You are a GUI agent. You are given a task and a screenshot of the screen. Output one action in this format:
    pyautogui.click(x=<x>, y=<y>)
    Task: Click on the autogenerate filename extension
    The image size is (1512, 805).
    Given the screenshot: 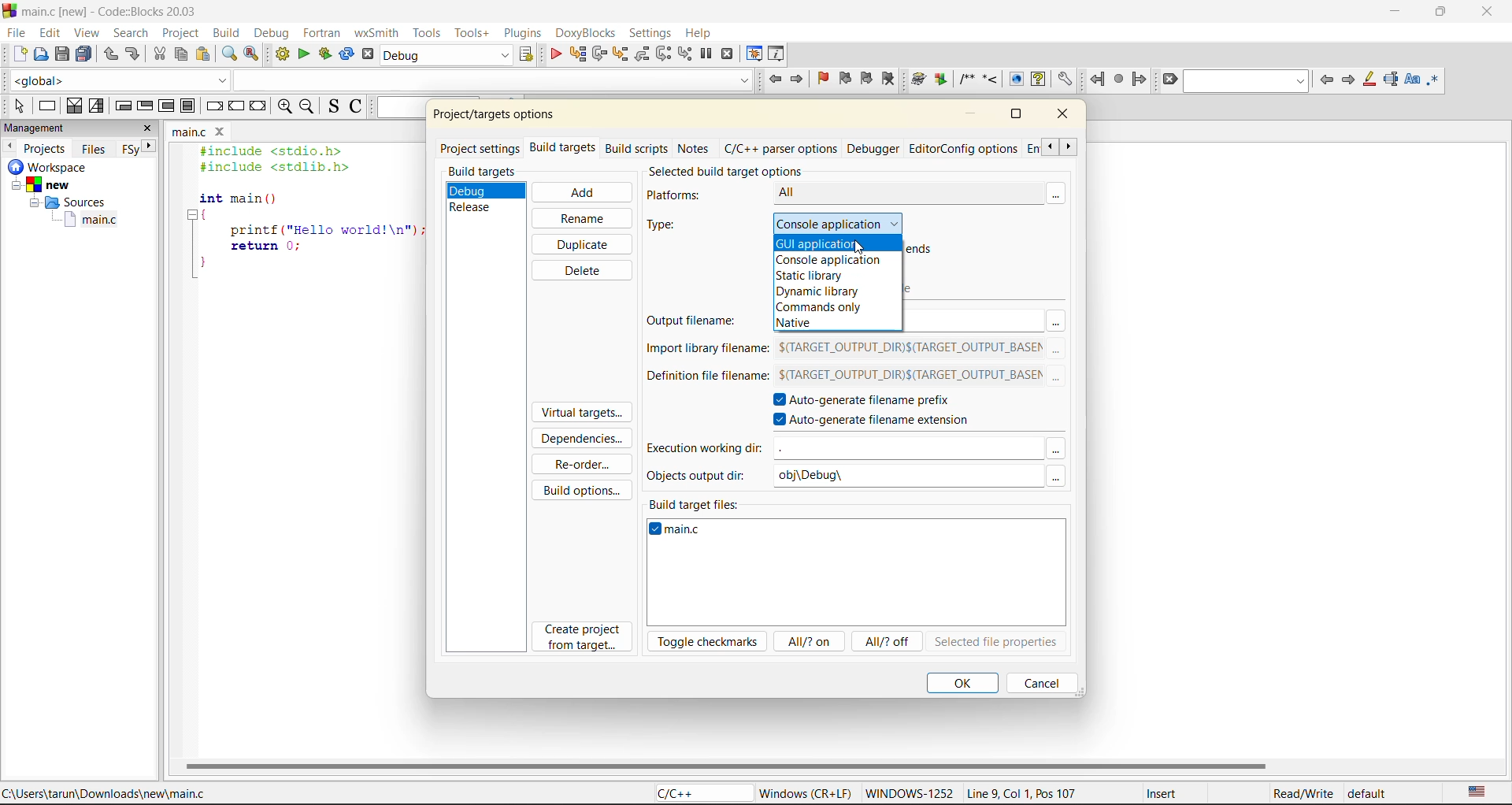 What is the action you would take?
    pyautogui.click(x=869, y=423)
    